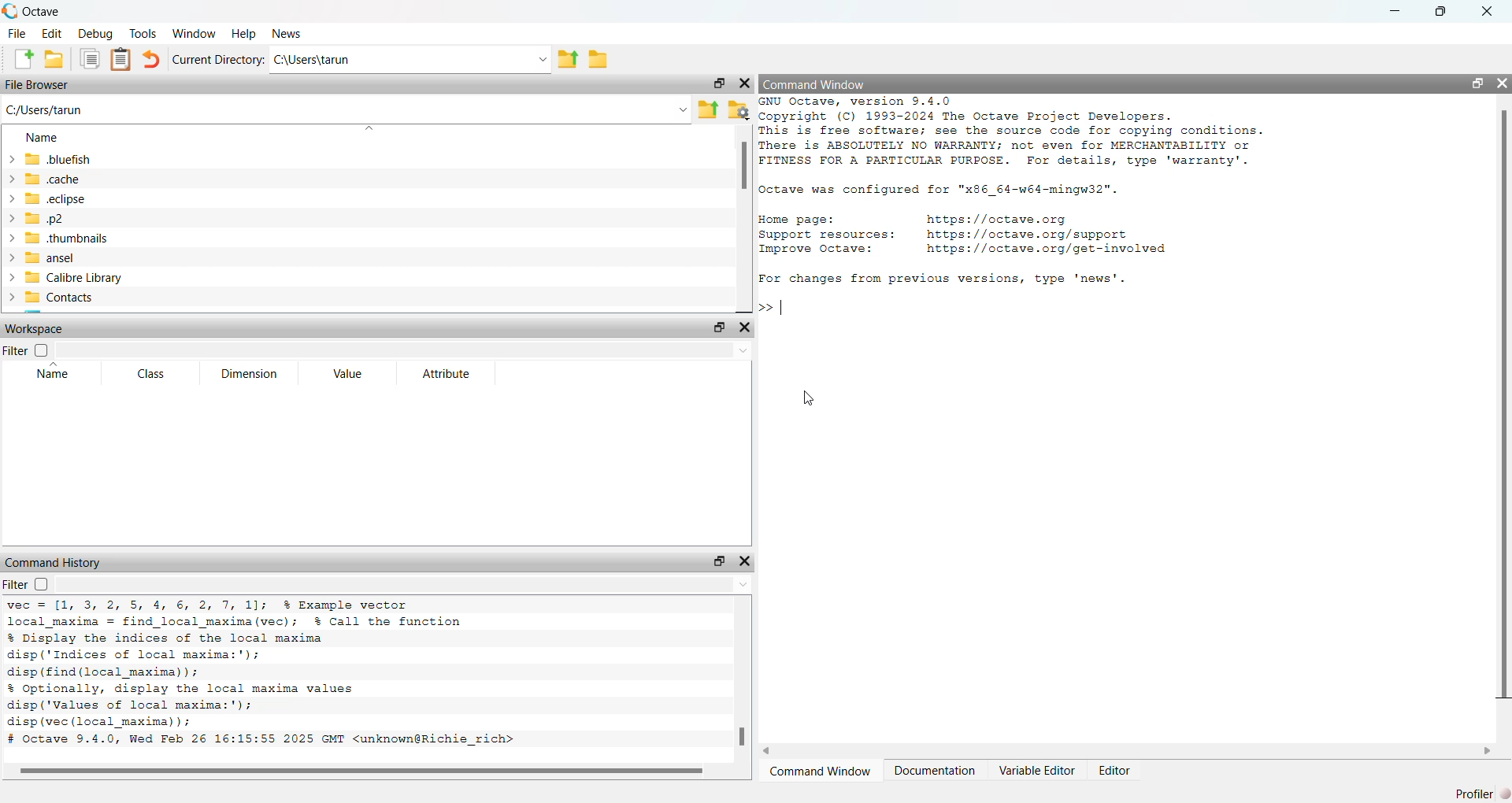 The height and width of the screenshot is (803, 1512). I want to click on vertical scroll bar, so click(1501, 417).